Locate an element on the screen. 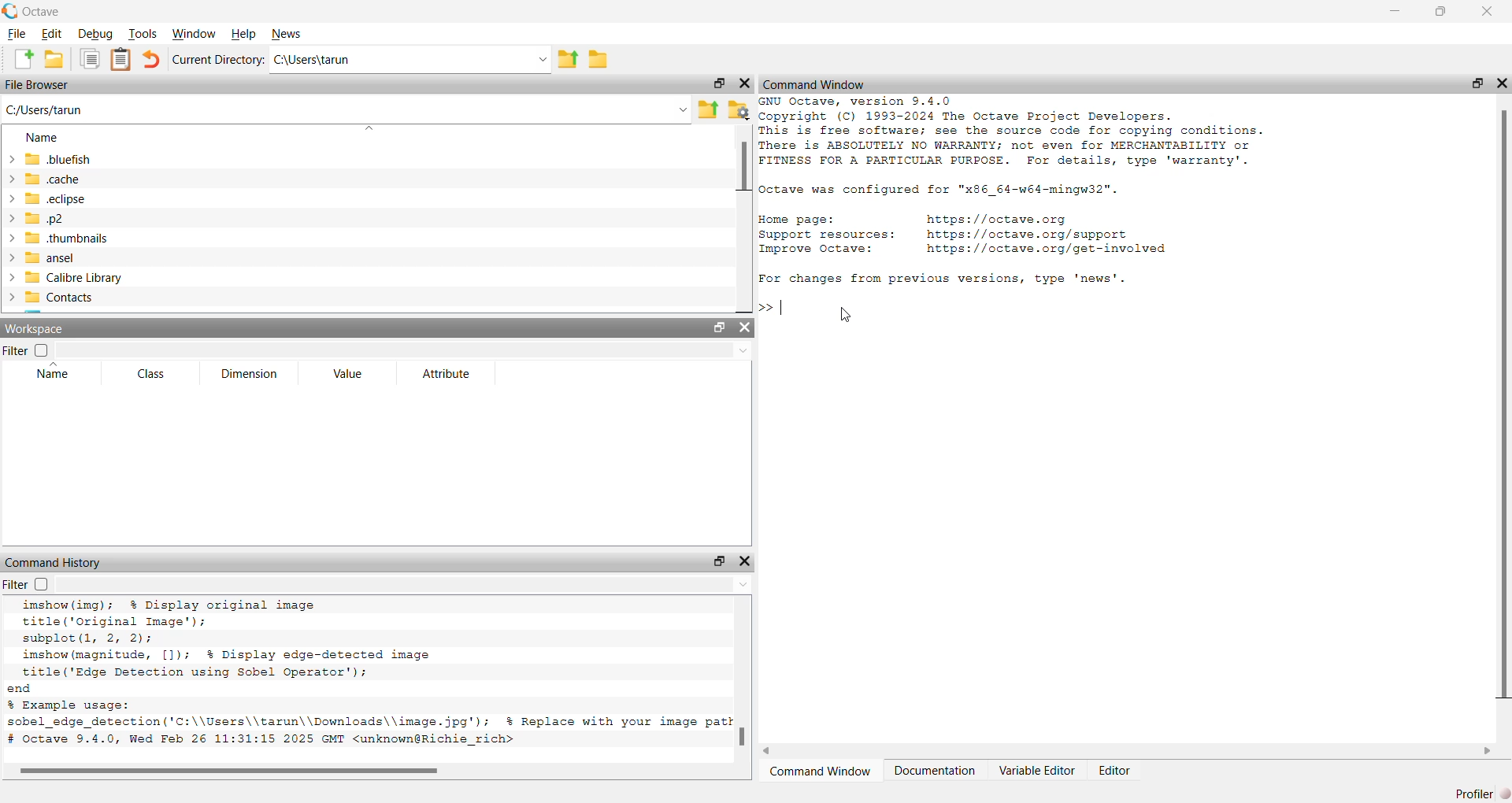  vertical scroll bar is located at coordinates (745, 678).